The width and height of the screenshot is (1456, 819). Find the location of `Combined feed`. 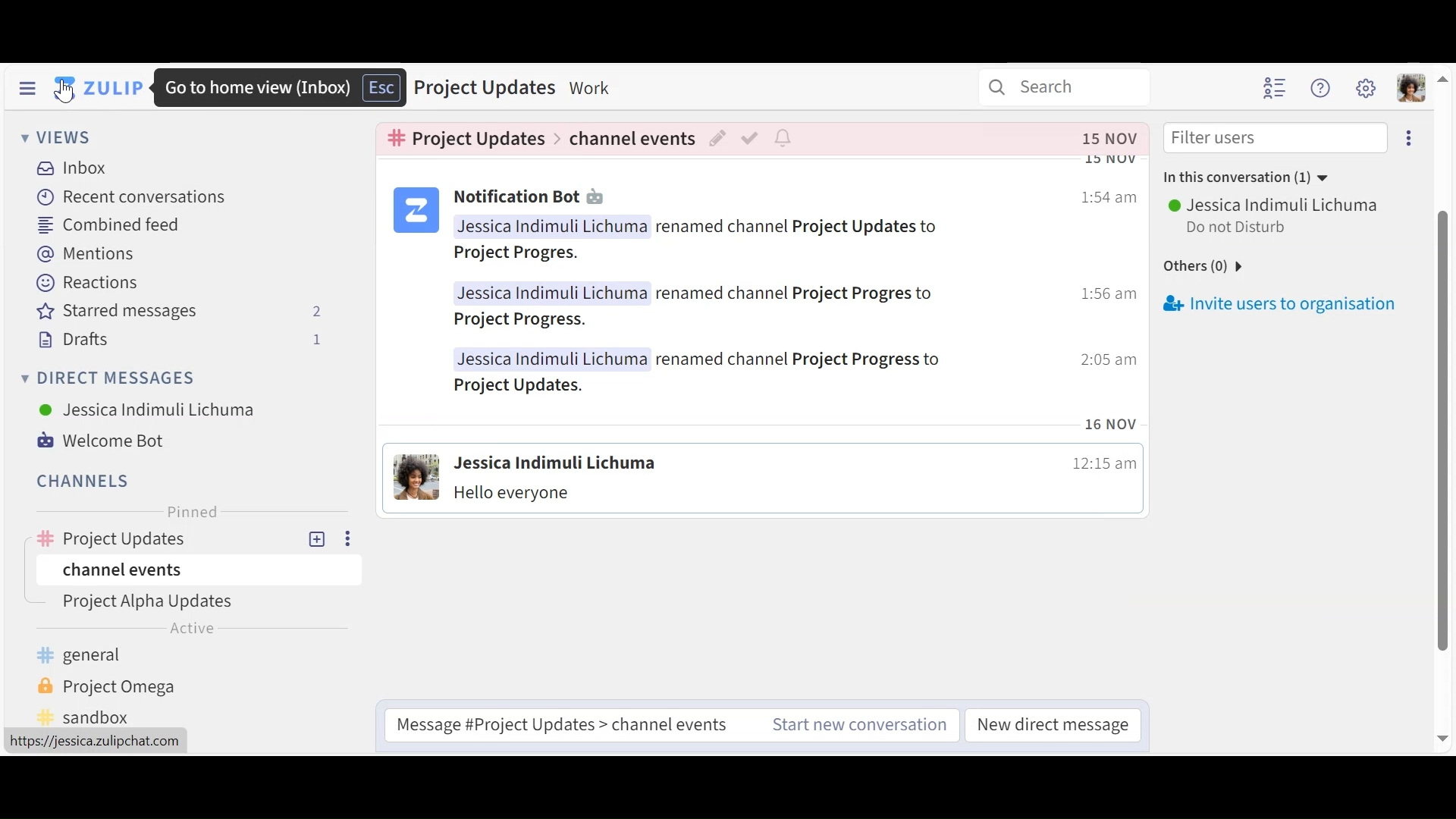

Combined feed is located at coordinates (111, 224).